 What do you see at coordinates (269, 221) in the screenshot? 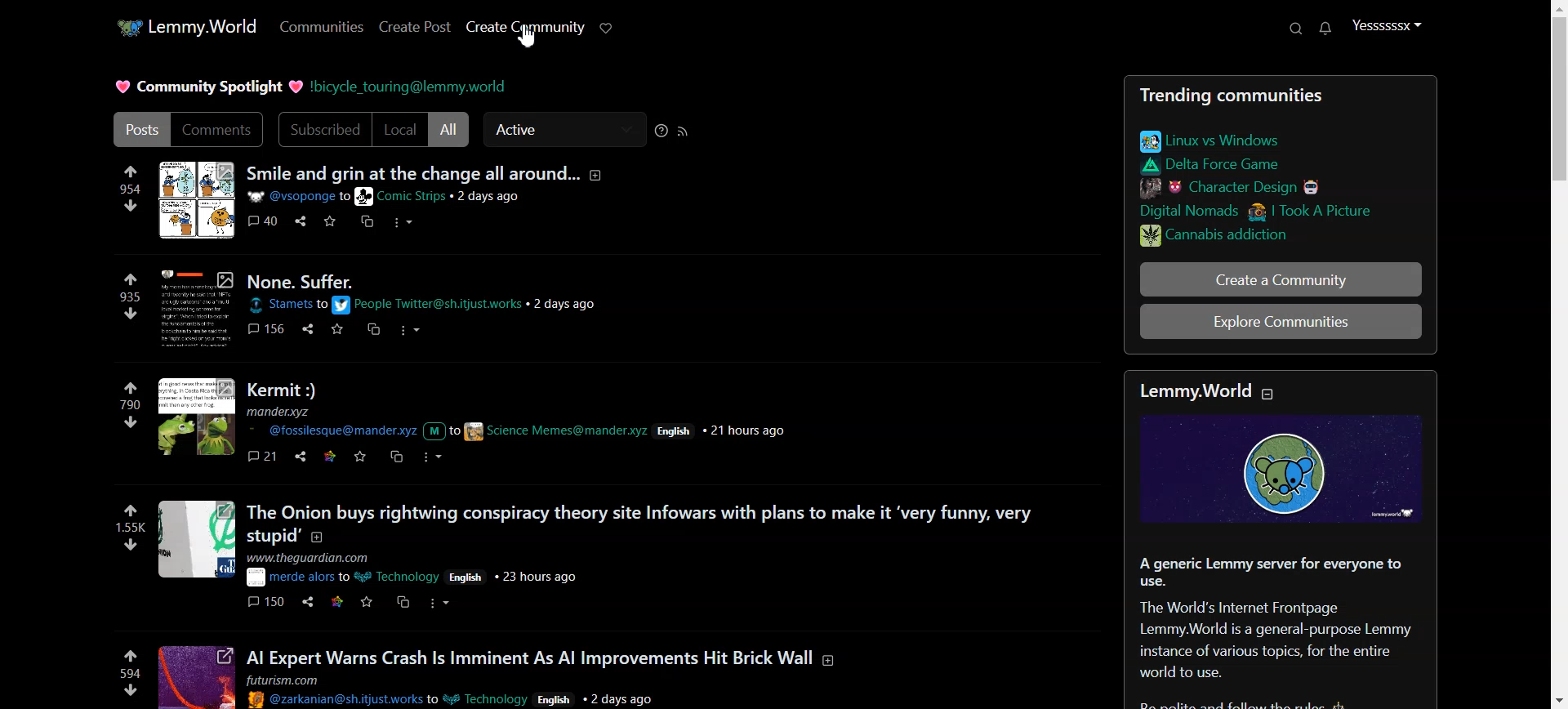
I see `comments` at bounding box center [269, 221].